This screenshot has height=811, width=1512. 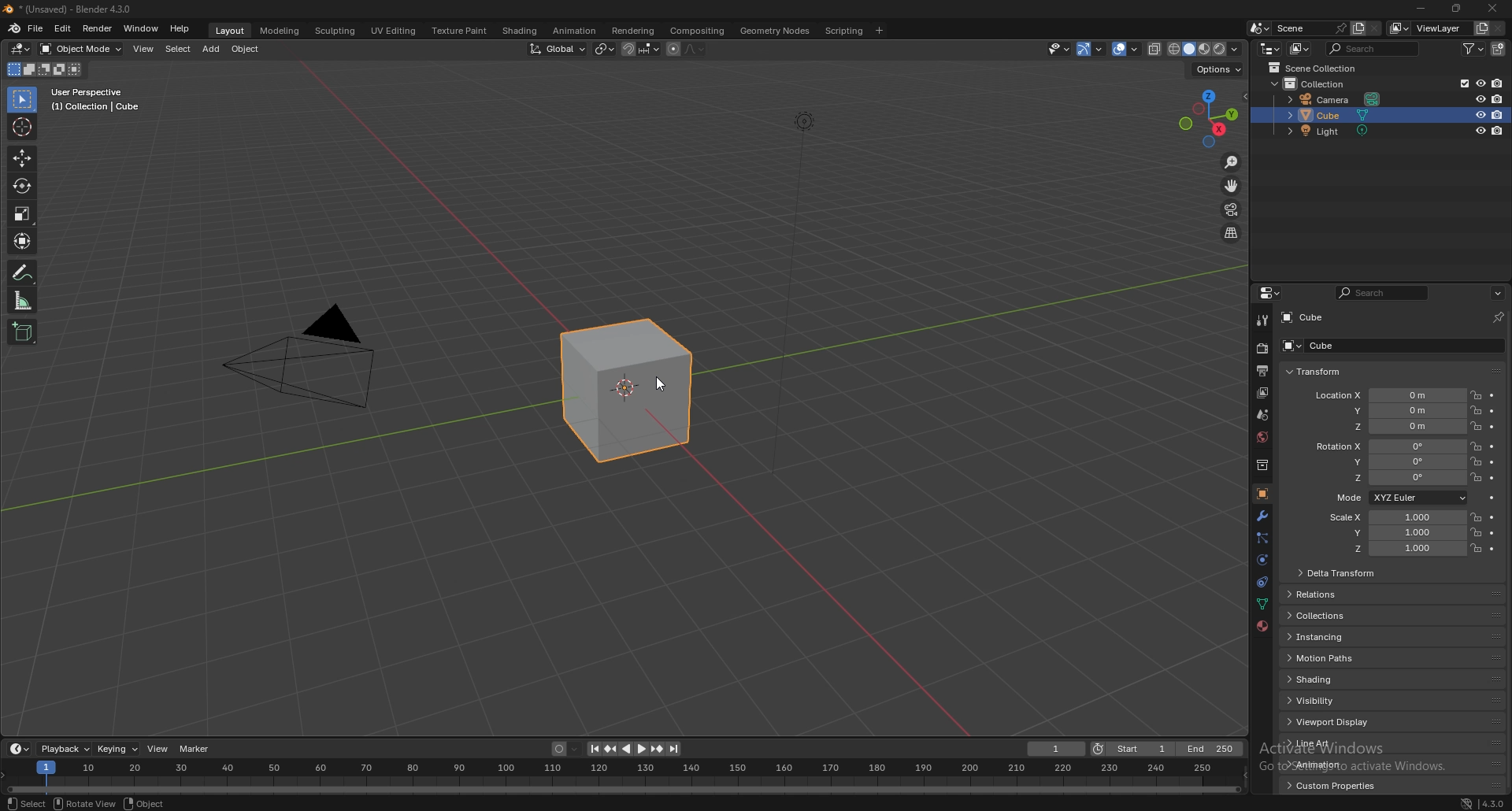 I want to click on animate property, so click(x=1492, y=427).